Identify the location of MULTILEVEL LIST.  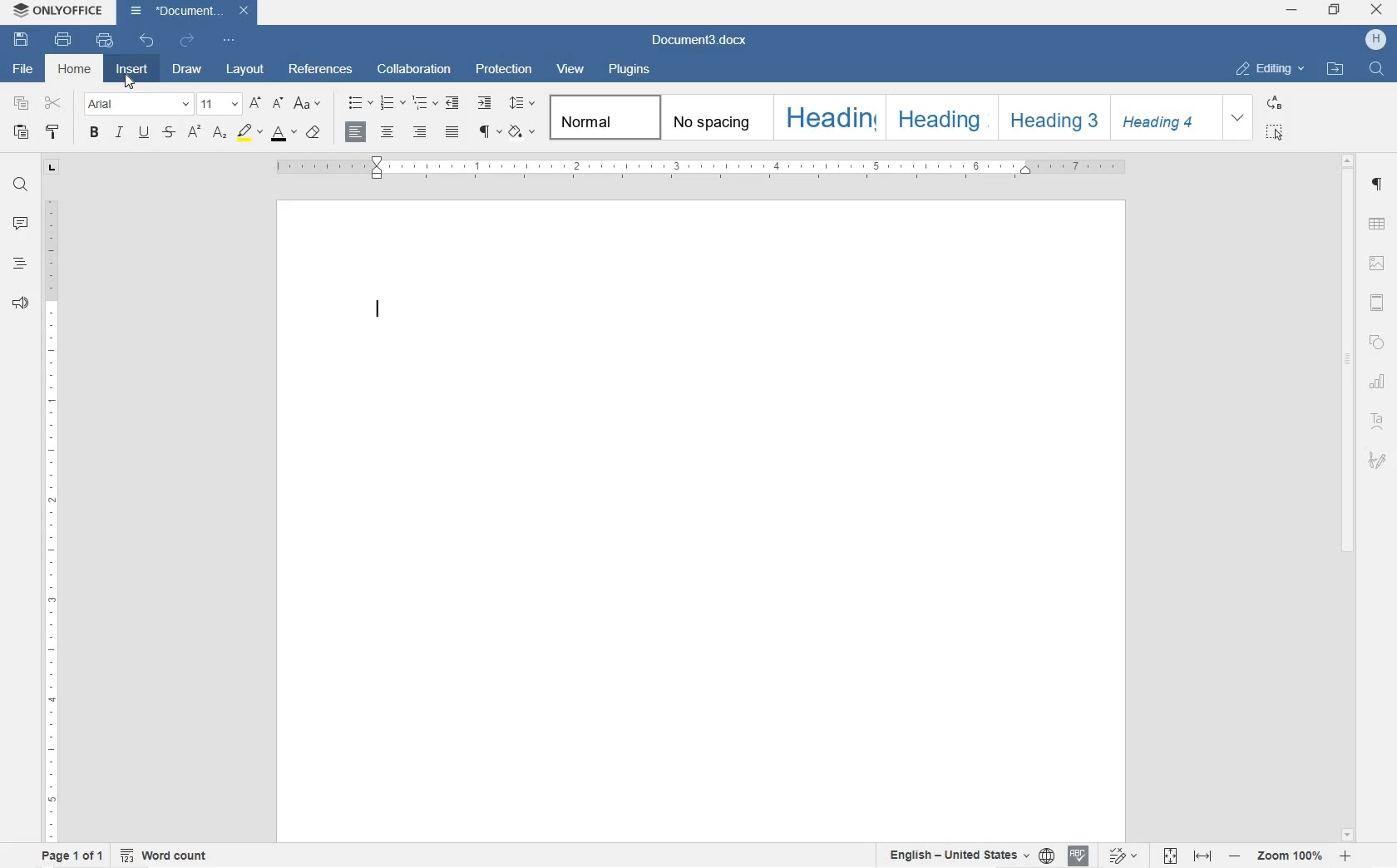
(423, 104).